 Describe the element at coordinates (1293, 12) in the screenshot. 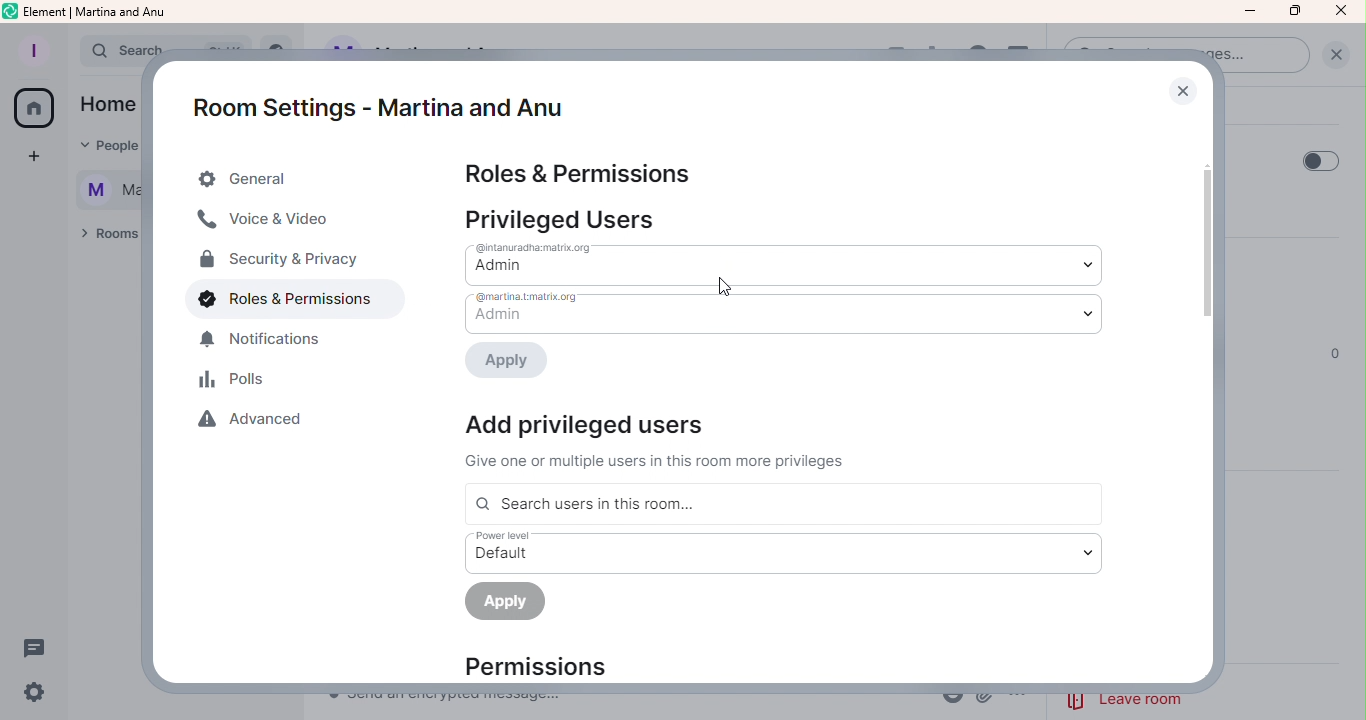

I see `Maximize` at that location.